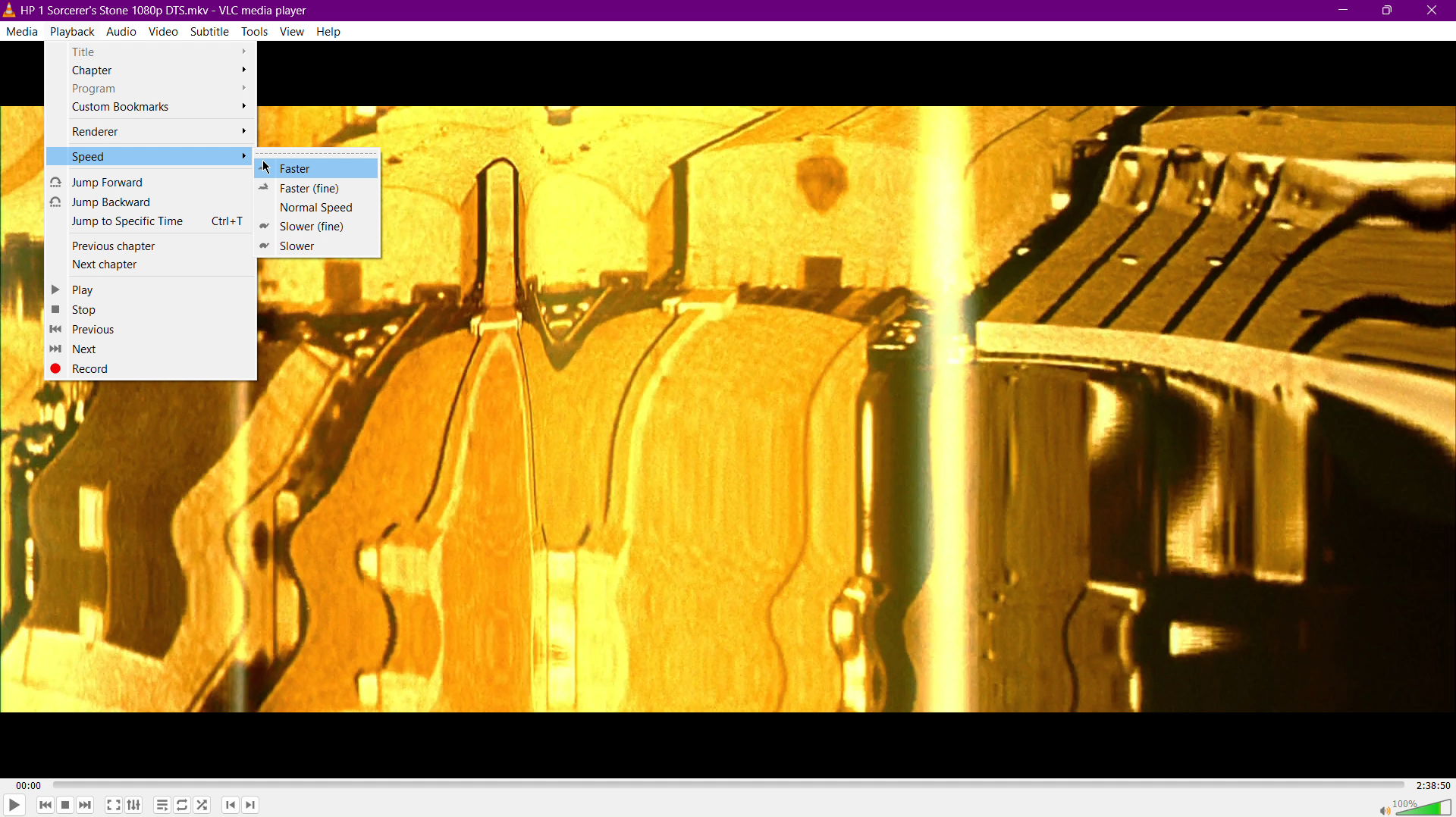 The image size is (1456, 817). What do you see at coordinates (268, 167) in the screenshot?
I see `Cursor position` at bounding box center [268, 167].